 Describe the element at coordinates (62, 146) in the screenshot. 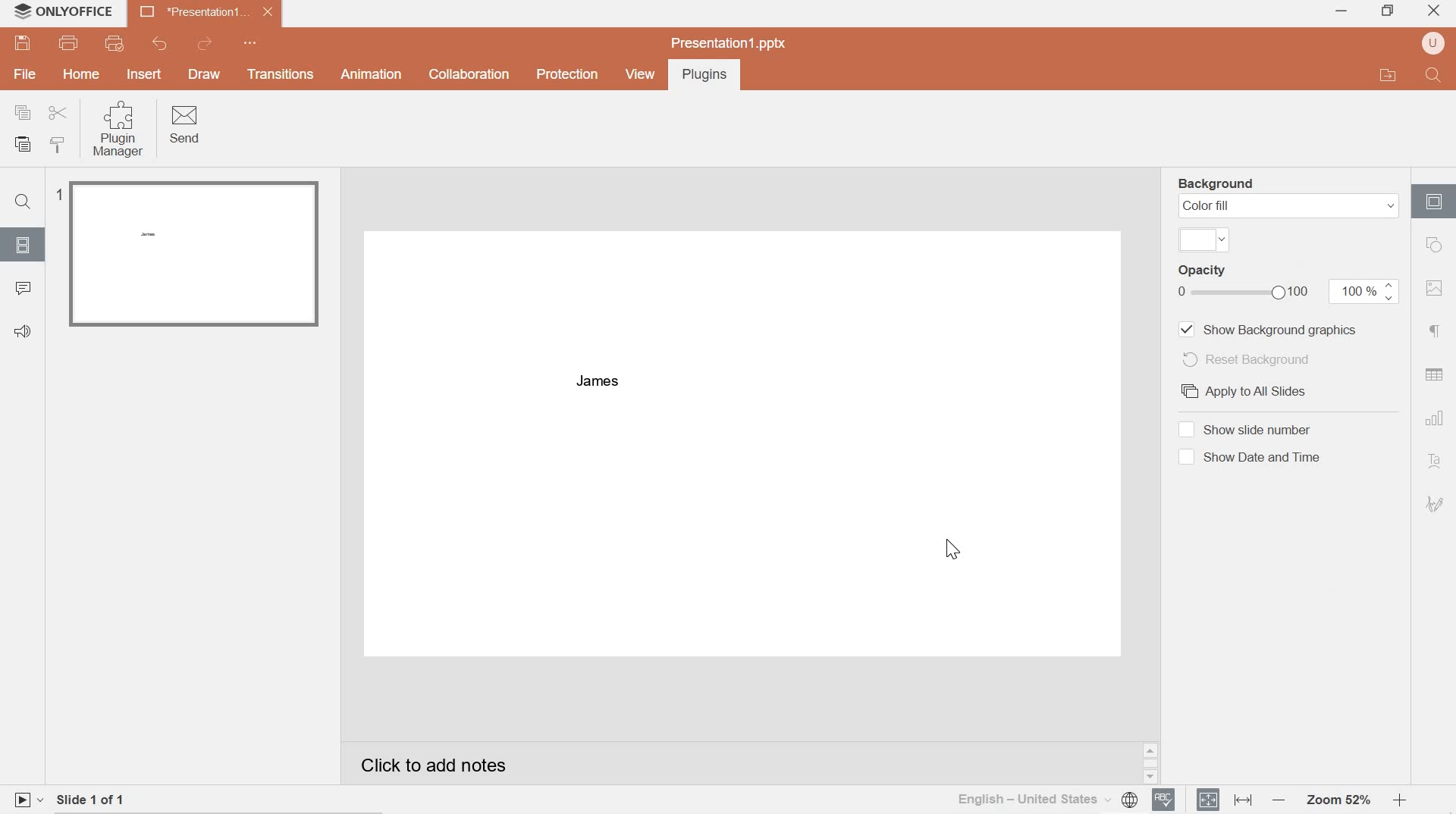

I see `copy style` at that location.